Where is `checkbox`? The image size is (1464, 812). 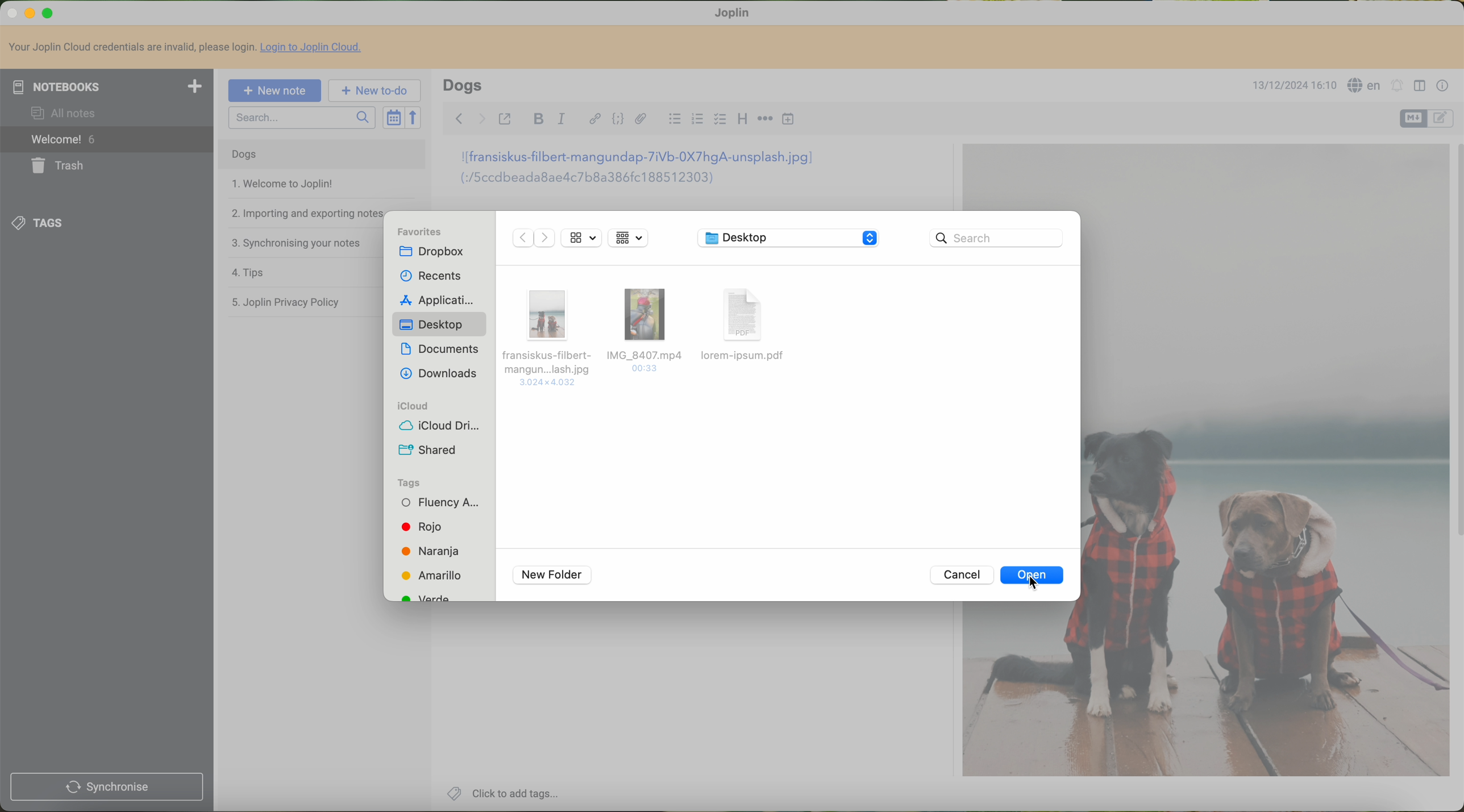 checkbox is located at coordinates (721, 121).